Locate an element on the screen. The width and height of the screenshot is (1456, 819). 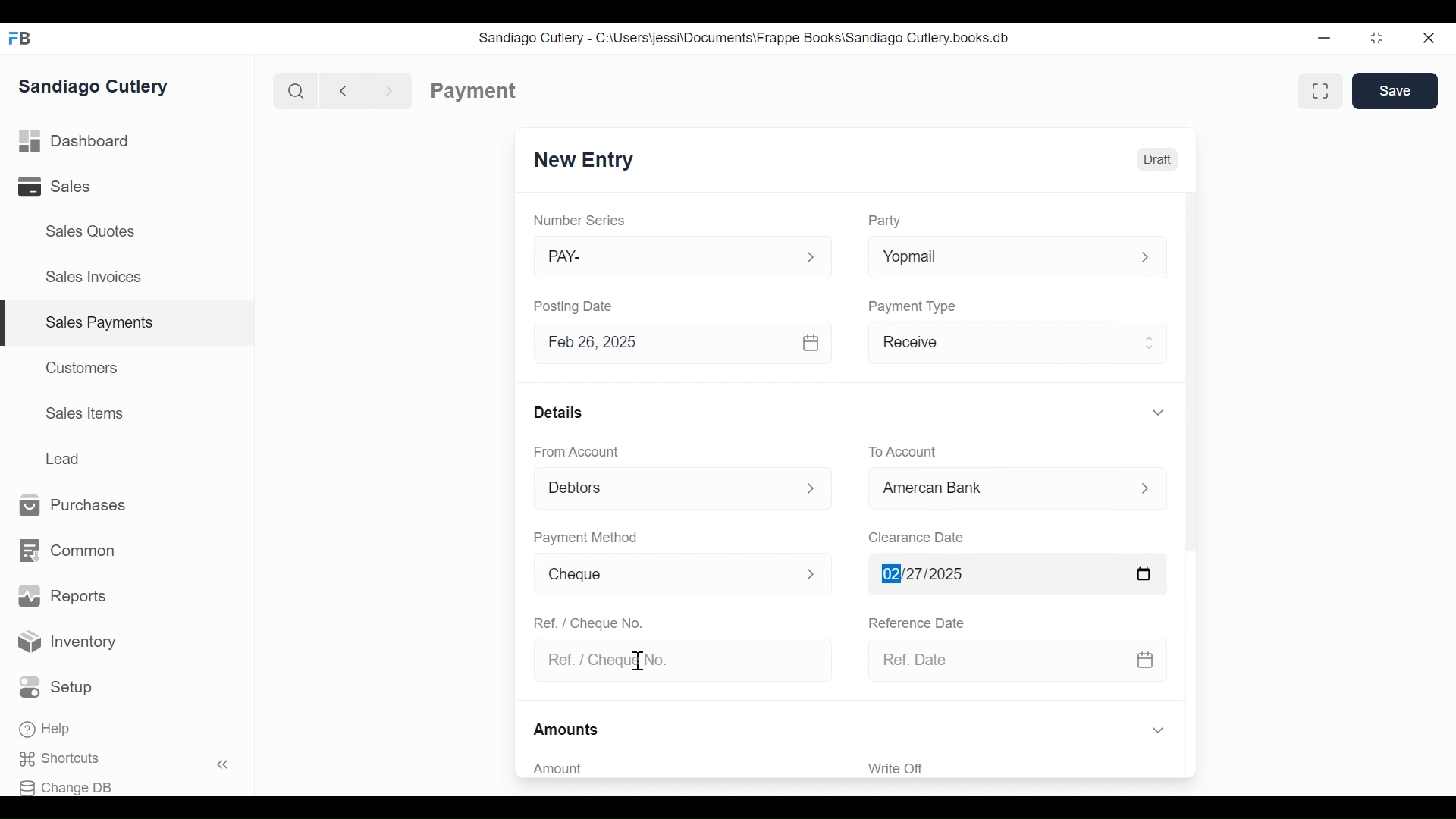
Help is located at coordinates (47, 730).